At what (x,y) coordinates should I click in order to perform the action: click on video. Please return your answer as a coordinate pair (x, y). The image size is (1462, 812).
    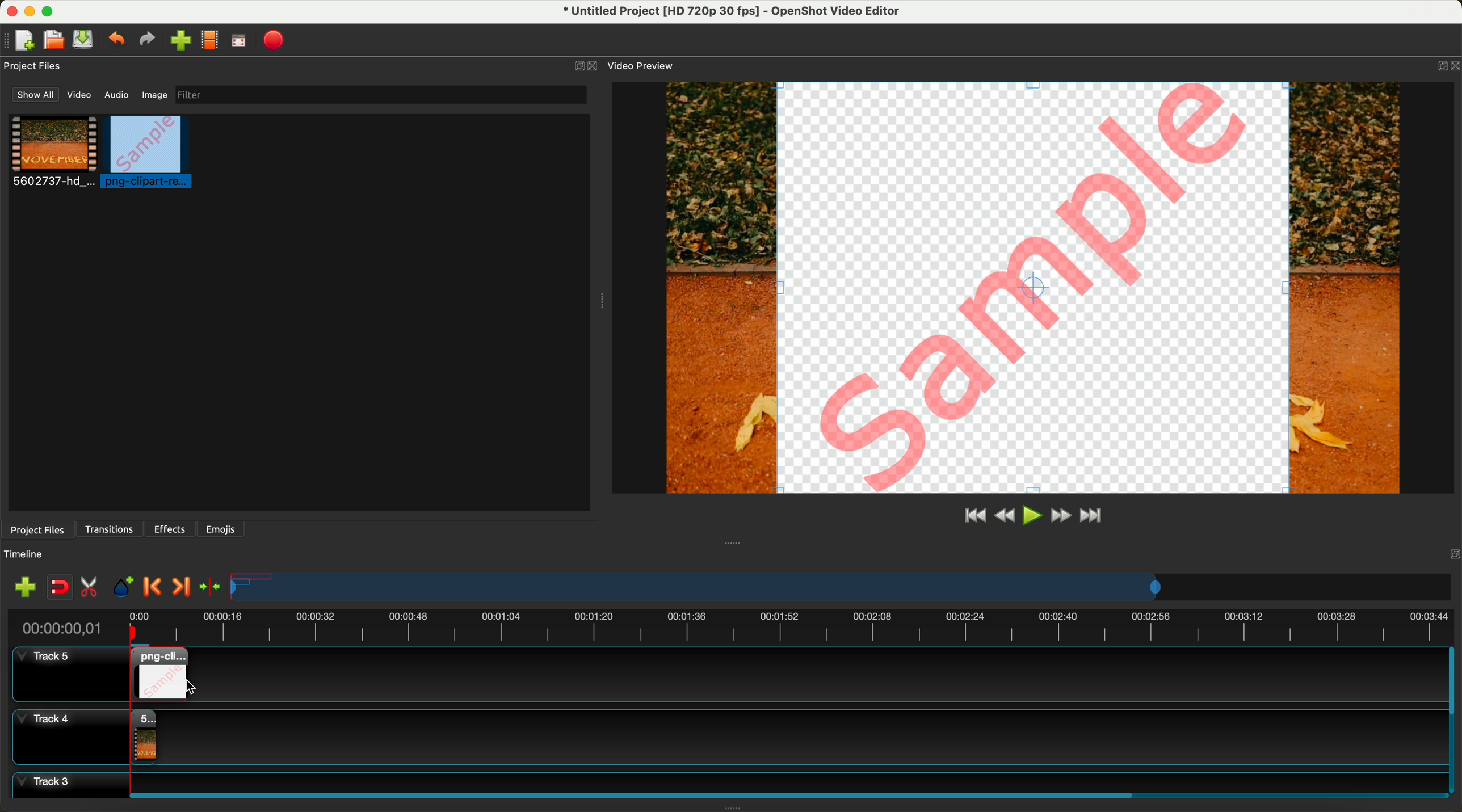
    Looking at the image, I should click on (81, 97).